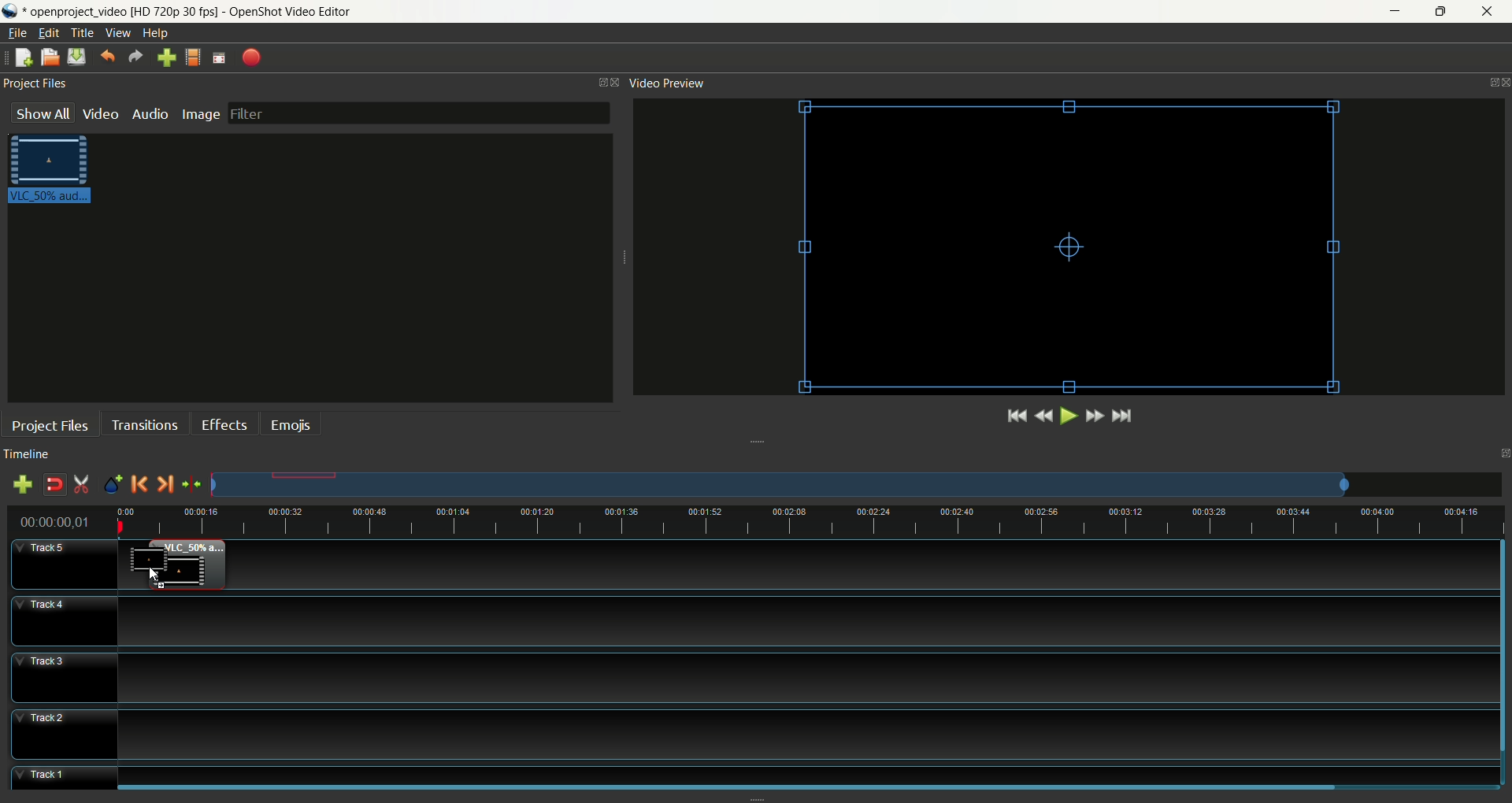 This screenshot has width=1512, height=803. Describe the element at coordinates (18, 33) in the screenshot. I see `file` at that location.